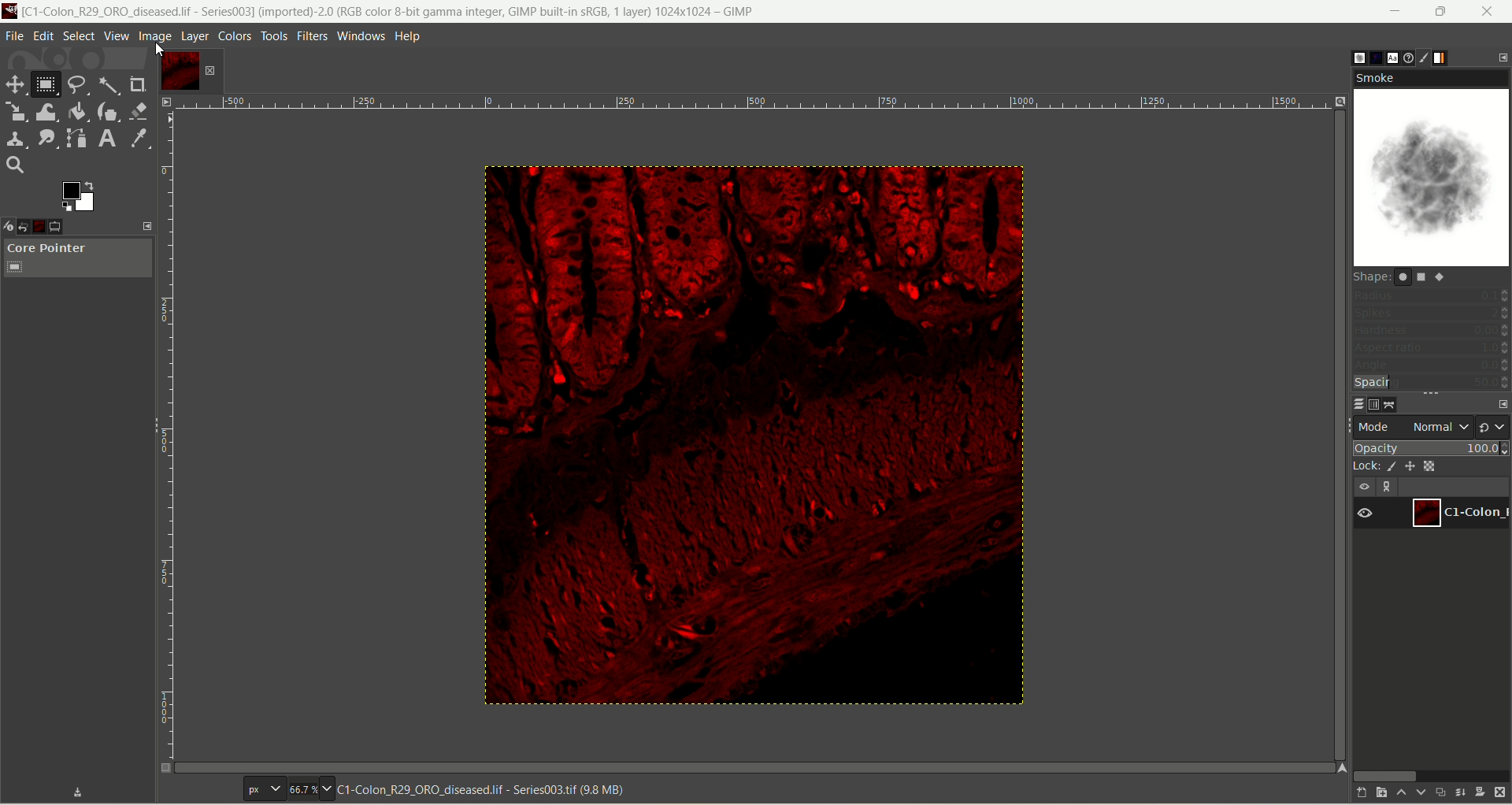  What do you see at coordinates (24, 227) in the screenshot?
I see `undo history` at bounding box center [24, 227].